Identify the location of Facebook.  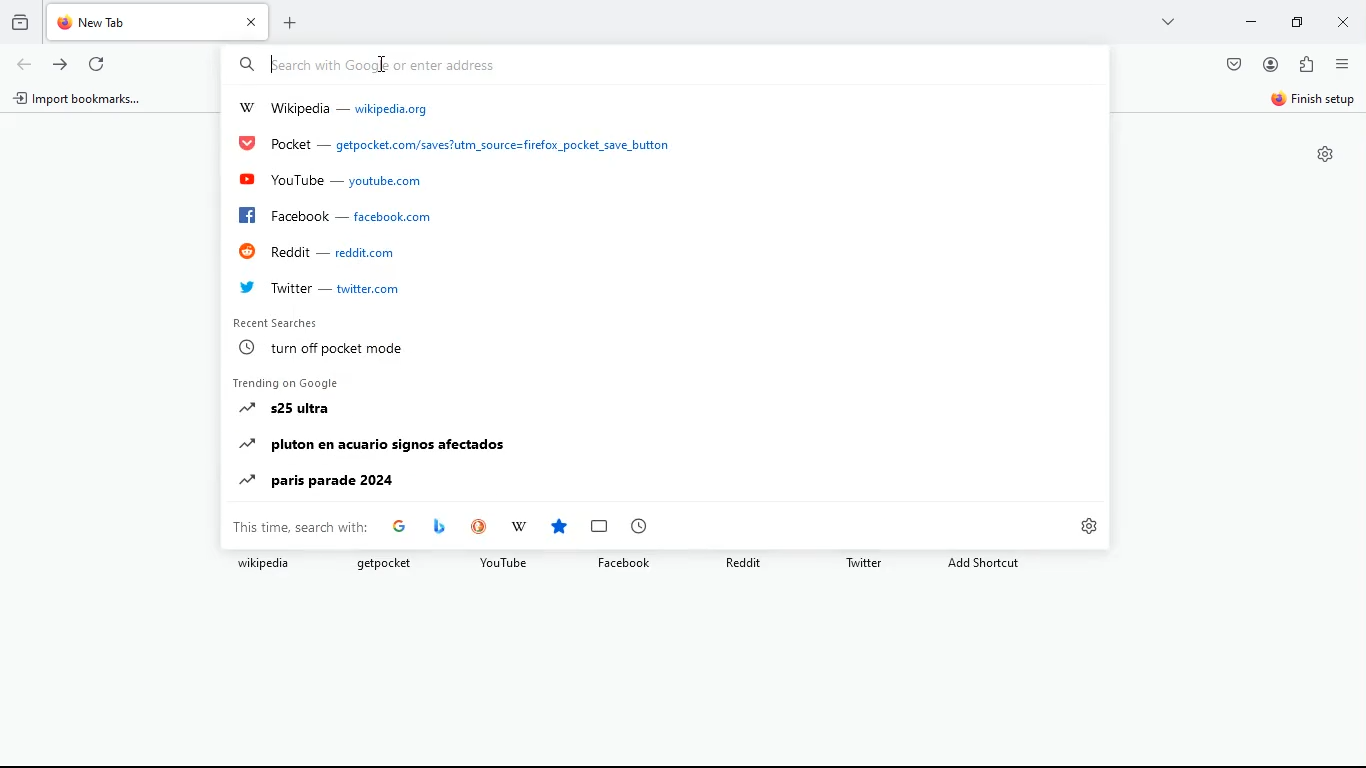
(625, 564).